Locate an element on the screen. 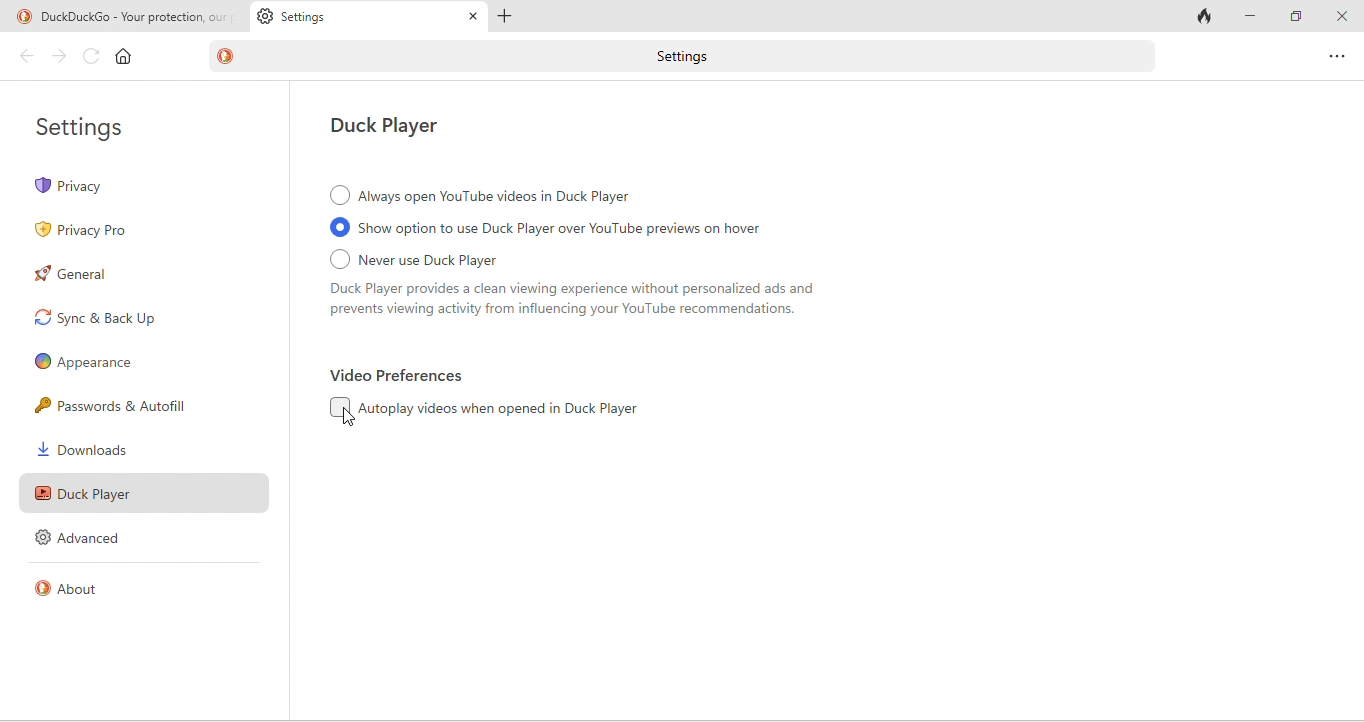 The width and height of the screenshot is (1364, 722). cursor movement is located at coordinates (351, 419).